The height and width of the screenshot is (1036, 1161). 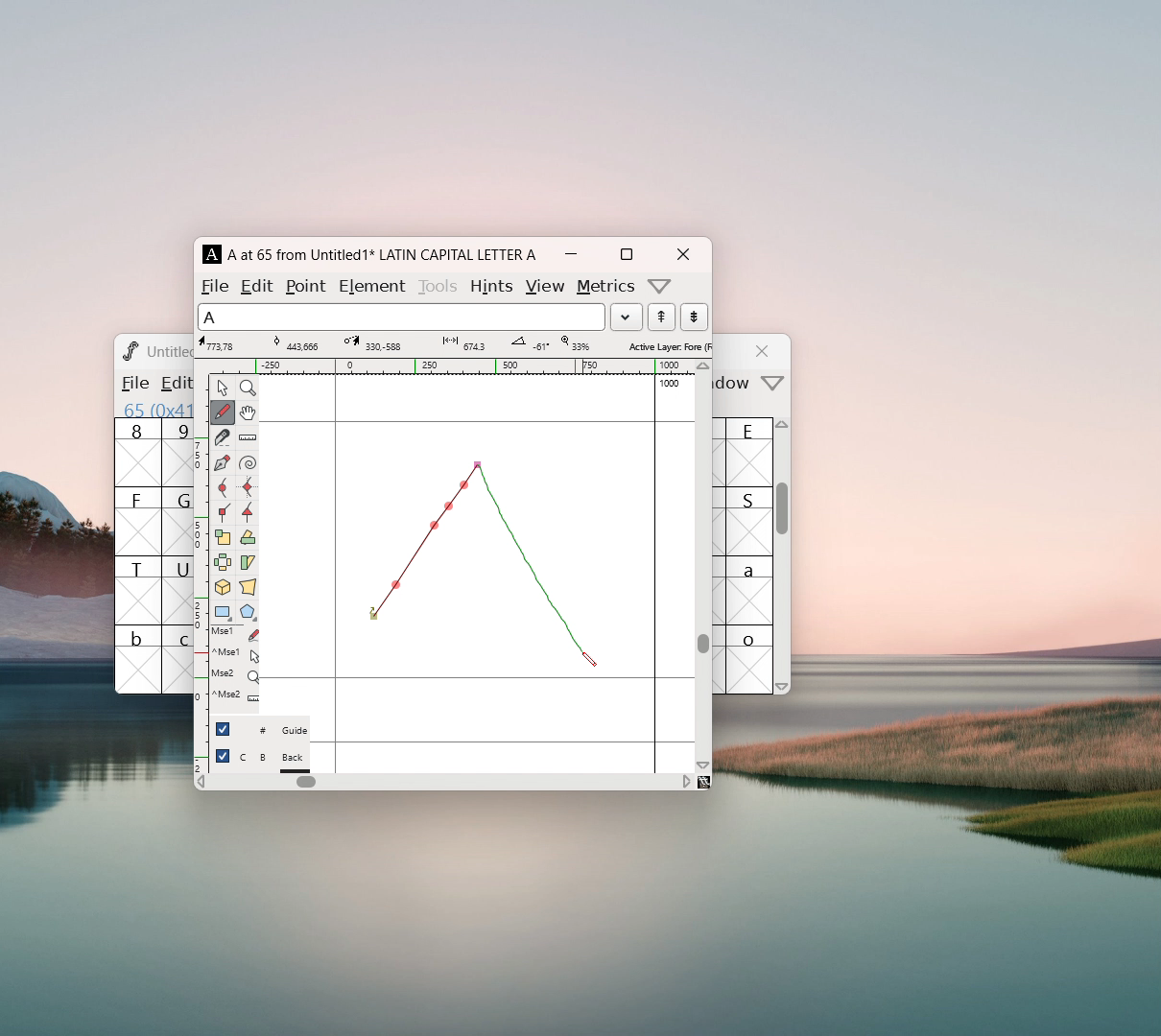 I want to click on maximum ascent line, so click(x=477, y=422).